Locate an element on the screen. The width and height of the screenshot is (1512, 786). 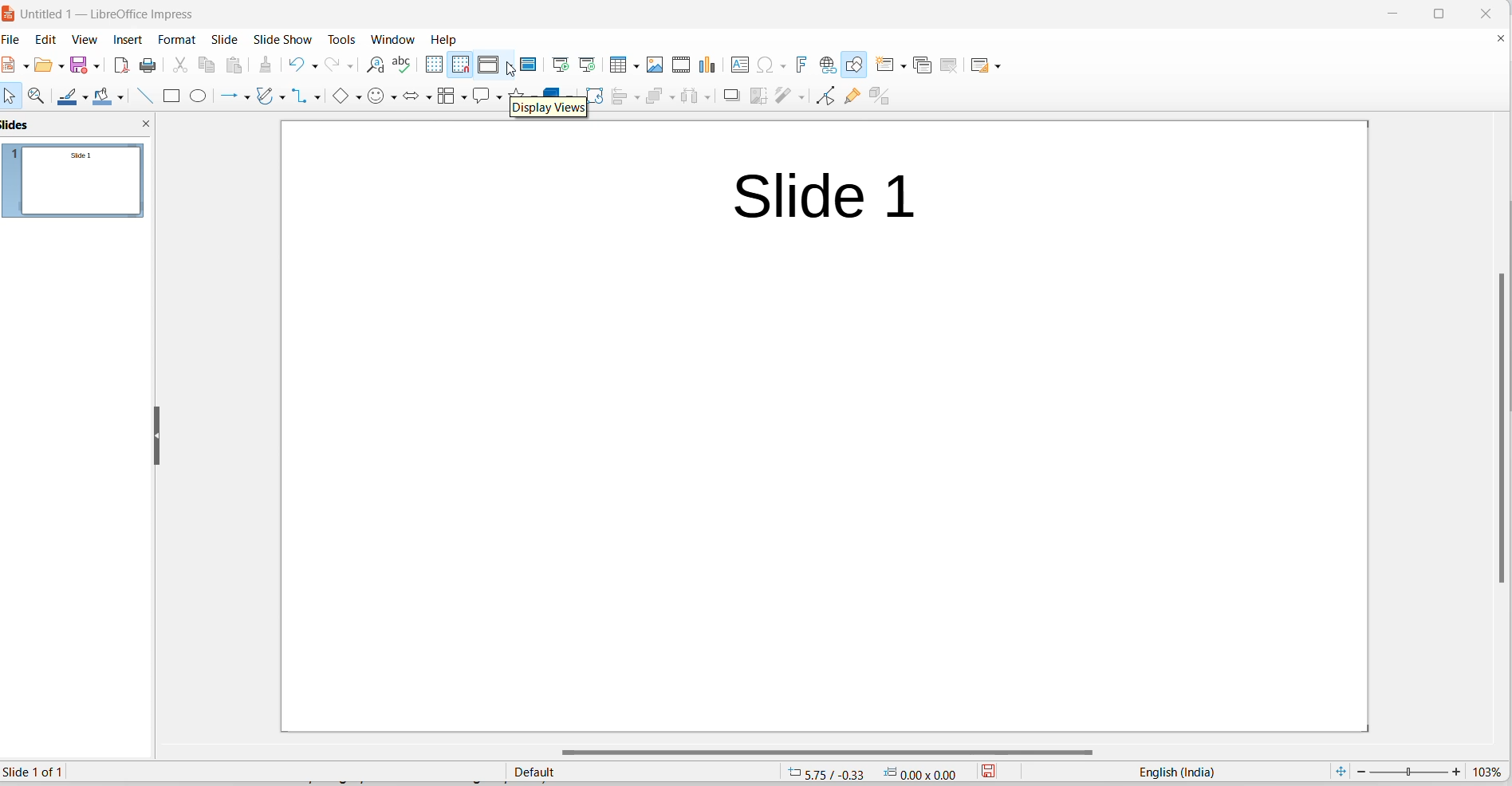
view is located at coordinates (86, 41).